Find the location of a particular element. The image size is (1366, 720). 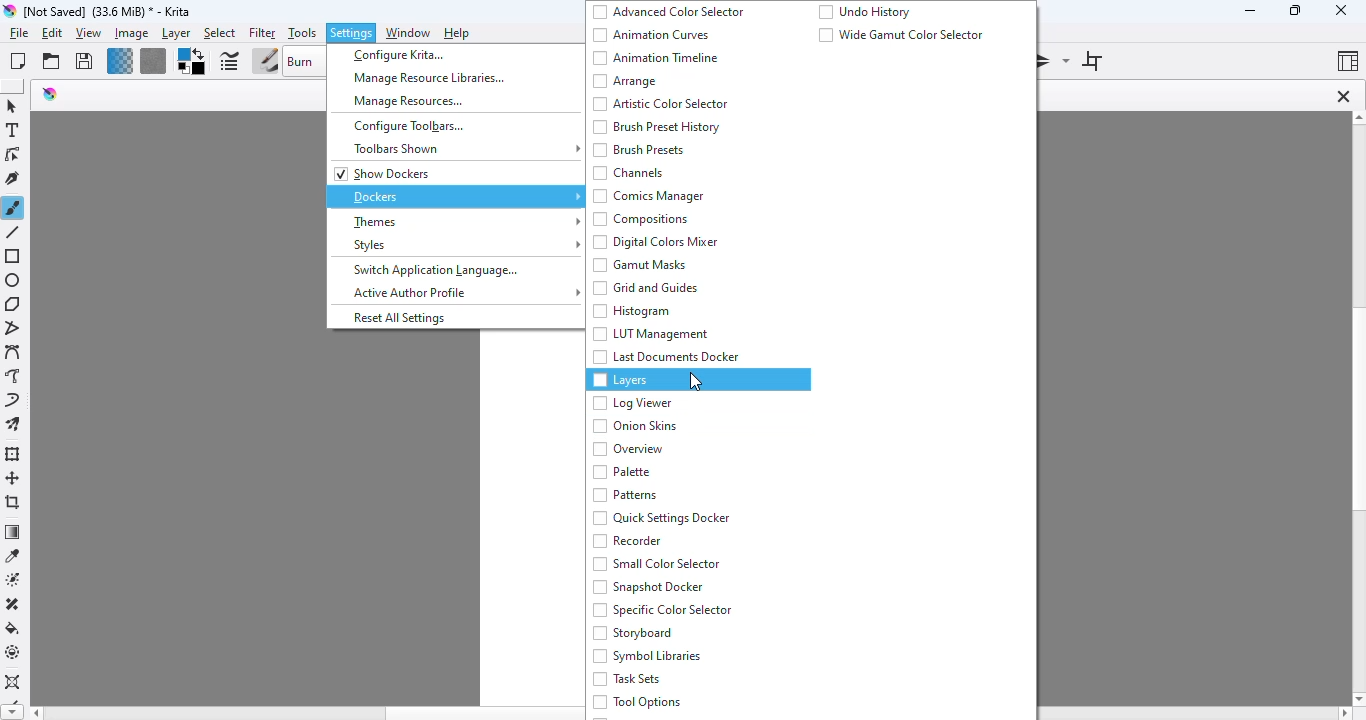

select is located at coordinates (219, 34).